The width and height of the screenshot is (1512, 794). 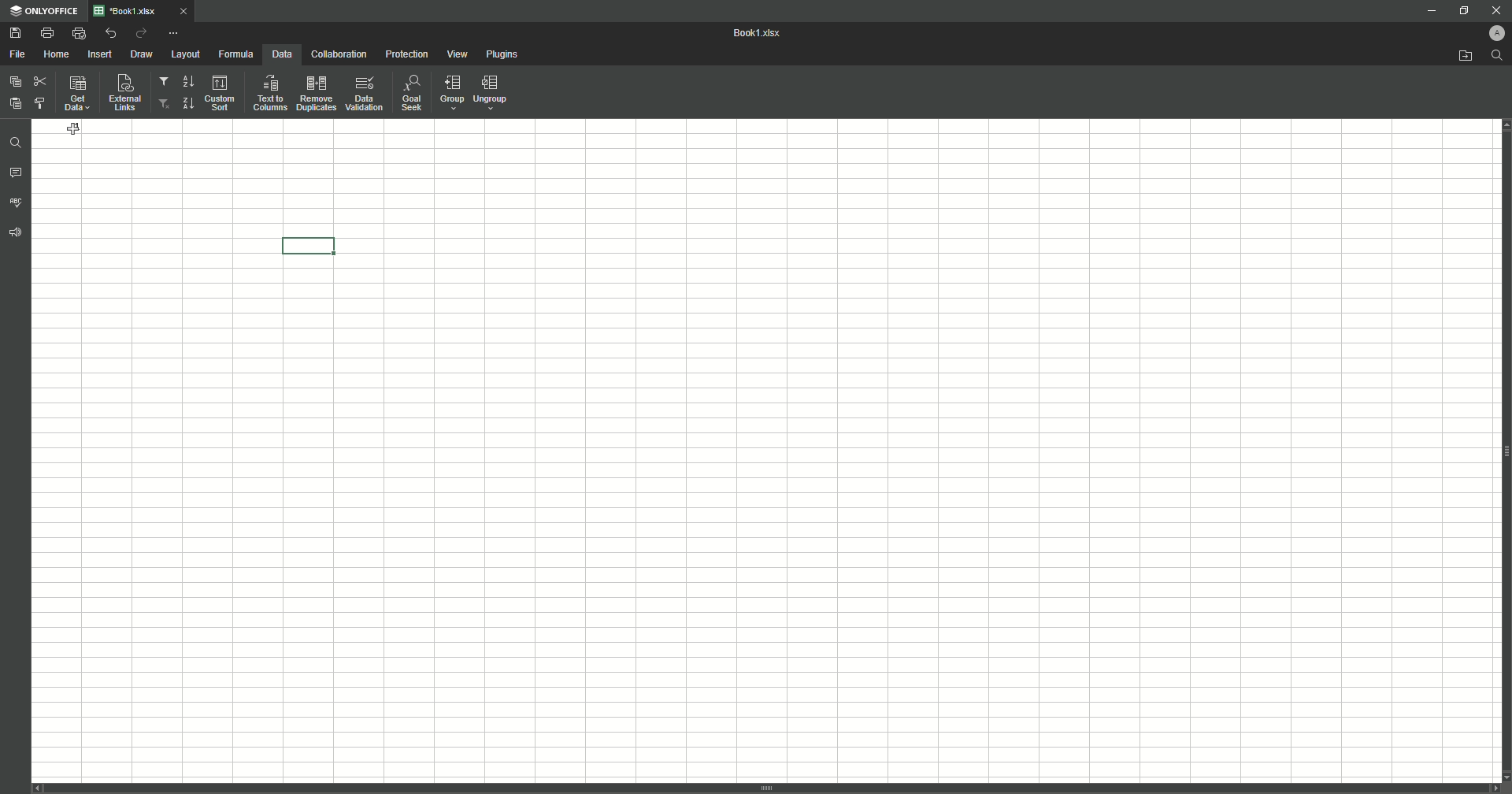 What do you see at coordinates (58, 54) in the screenshot?
I see `Home` at bounding box center [58, 54].